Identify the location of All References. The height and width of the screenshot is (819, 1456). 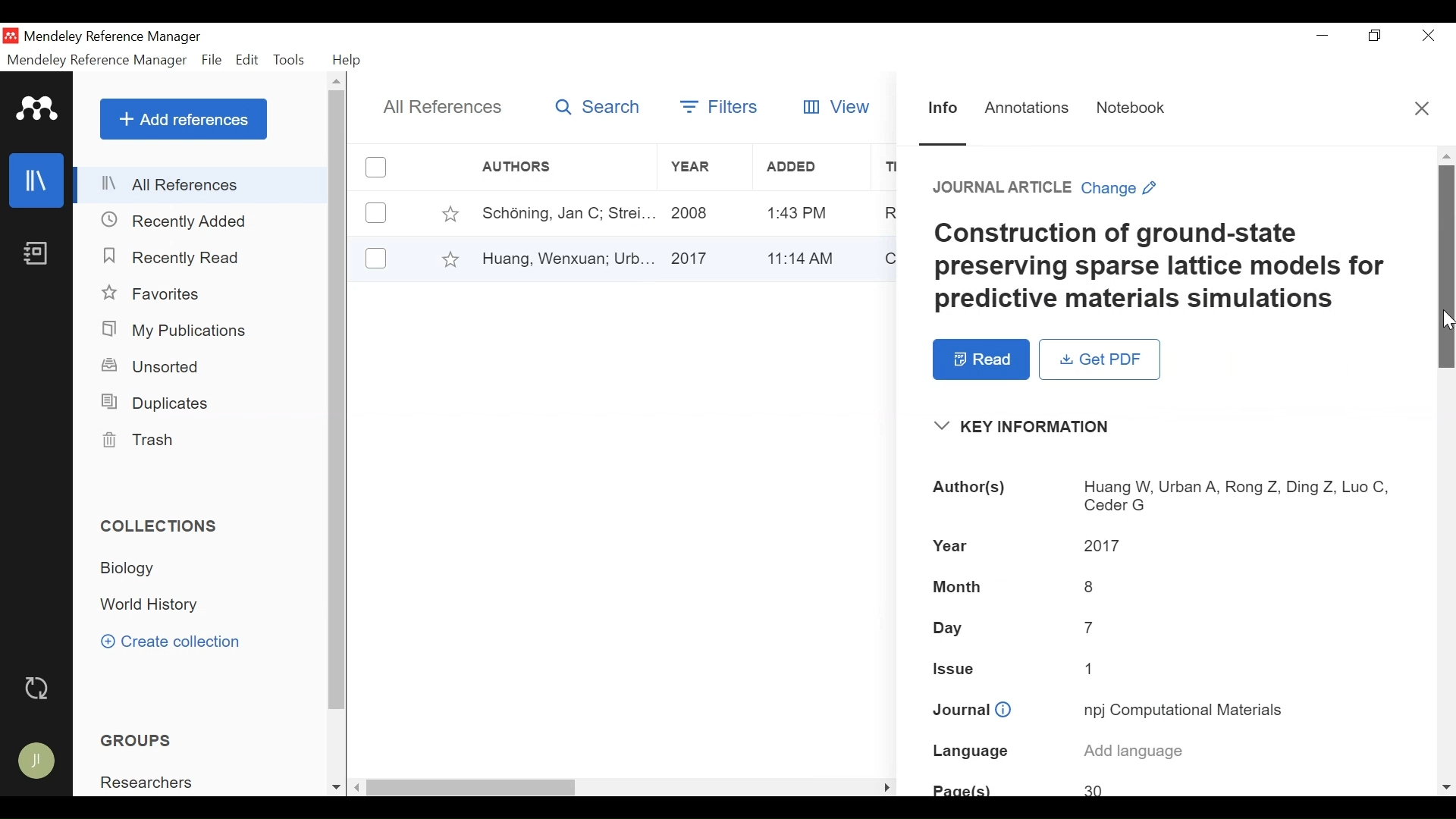
(202, 184).